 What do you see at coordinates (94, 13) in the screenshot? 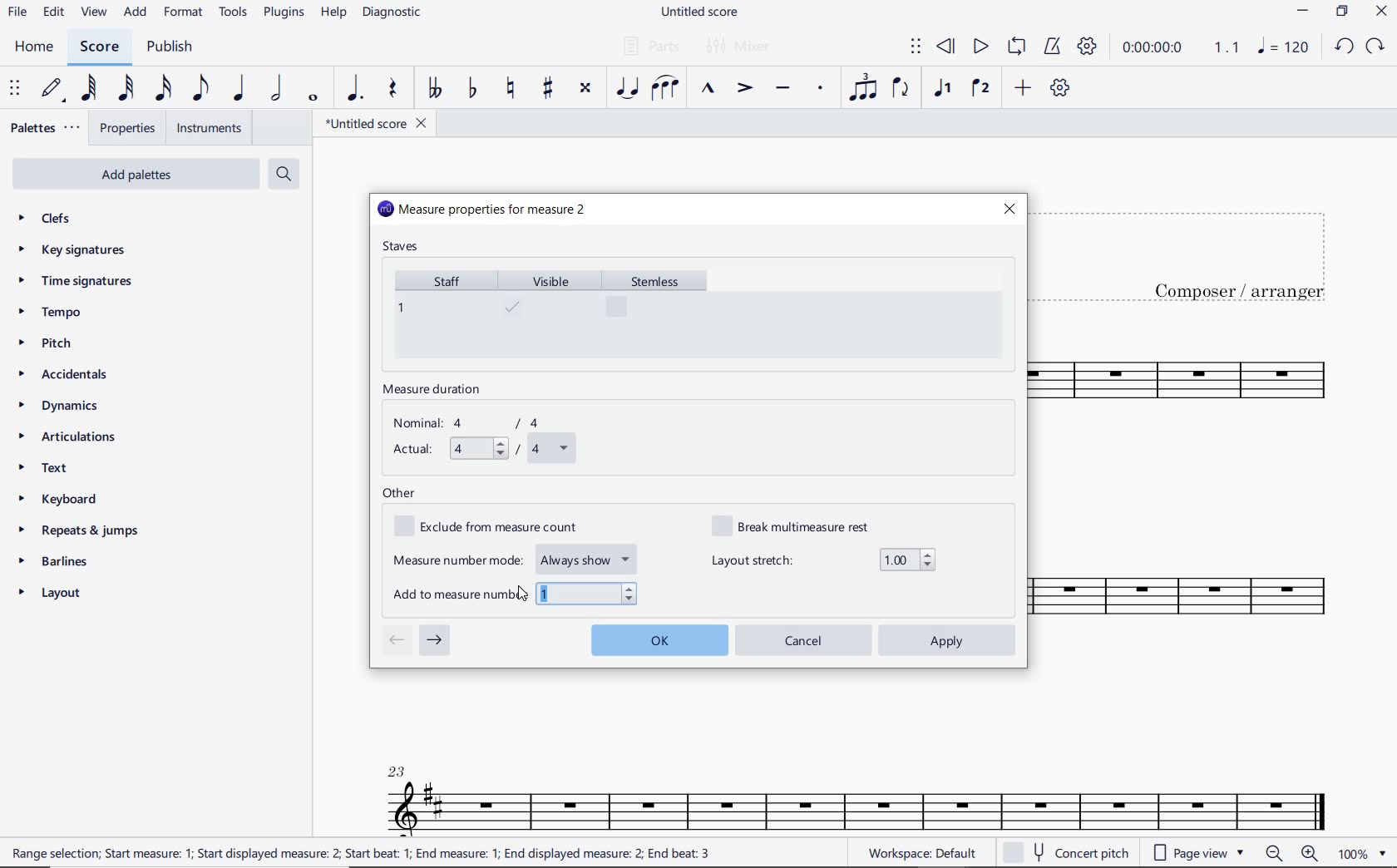
I see `VIEW` at bounding box center [94, 13].